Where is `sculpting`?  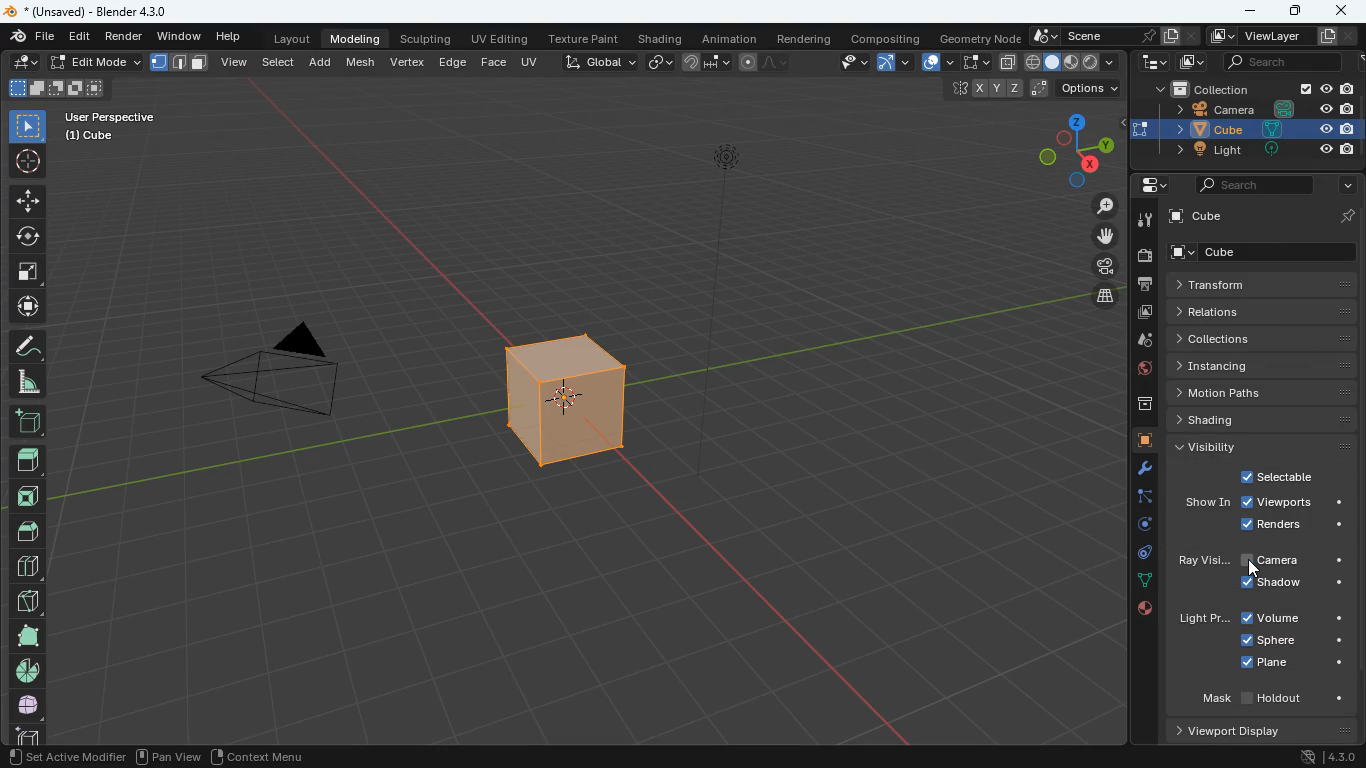
sculpting is located at coordinates (427, 40).